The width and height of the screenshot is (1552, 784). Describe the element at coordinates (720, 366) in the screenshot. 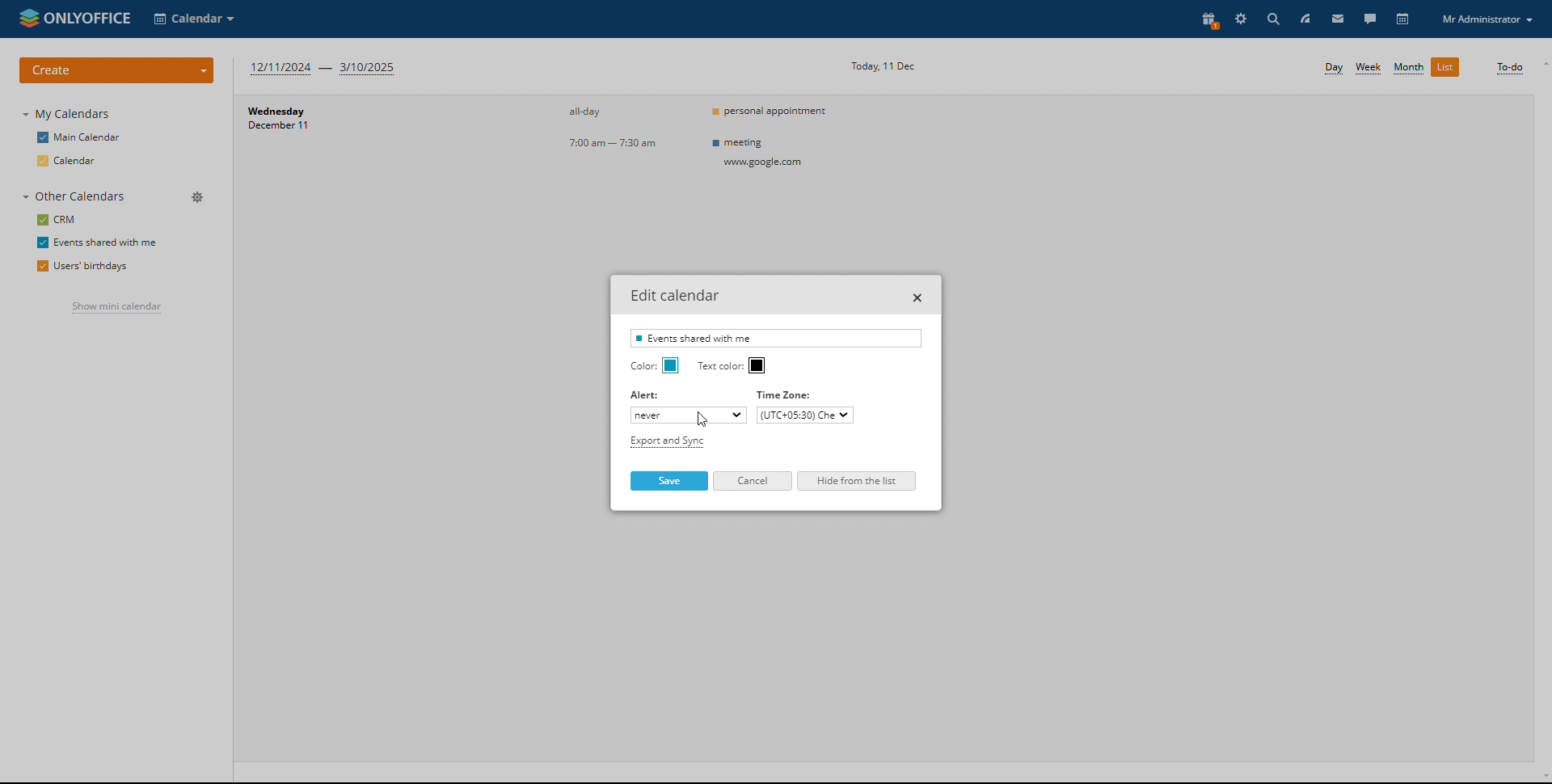

I see `ext color:` at that location.